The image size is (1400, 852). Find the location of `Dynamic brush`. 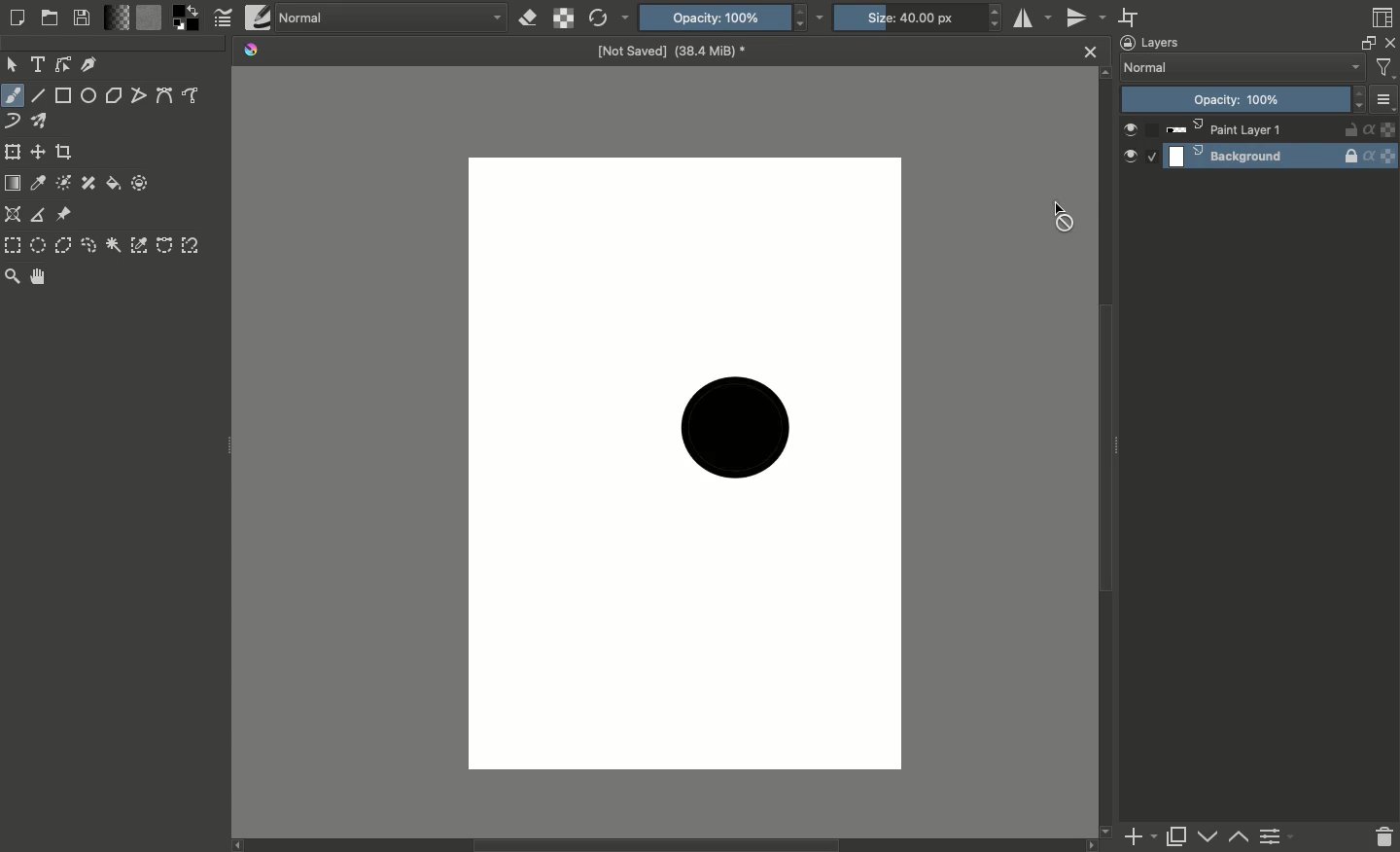

Dynamic brush is located at coordinates (16, 121).